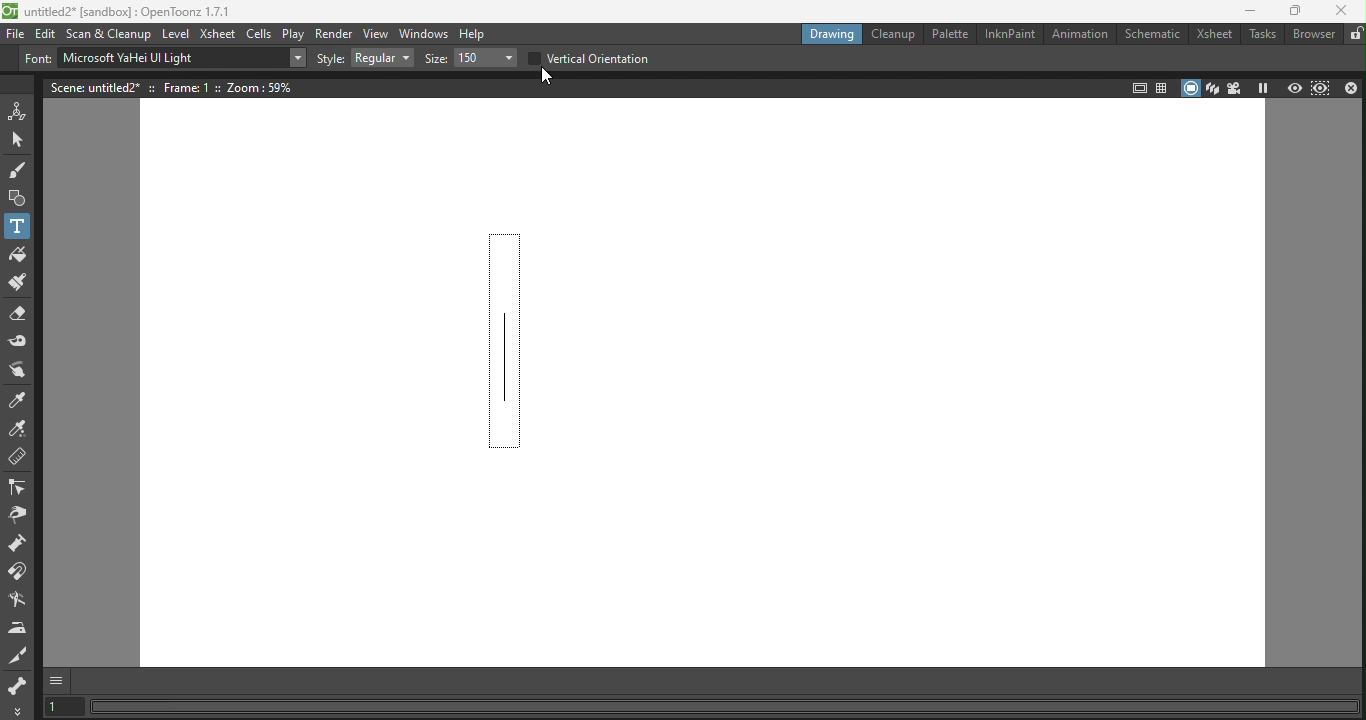 This screenshot has height=720, width=1366. Describe the element at coordinates (16, 654) in the screenshot. I see `Cutter tool` at that location.